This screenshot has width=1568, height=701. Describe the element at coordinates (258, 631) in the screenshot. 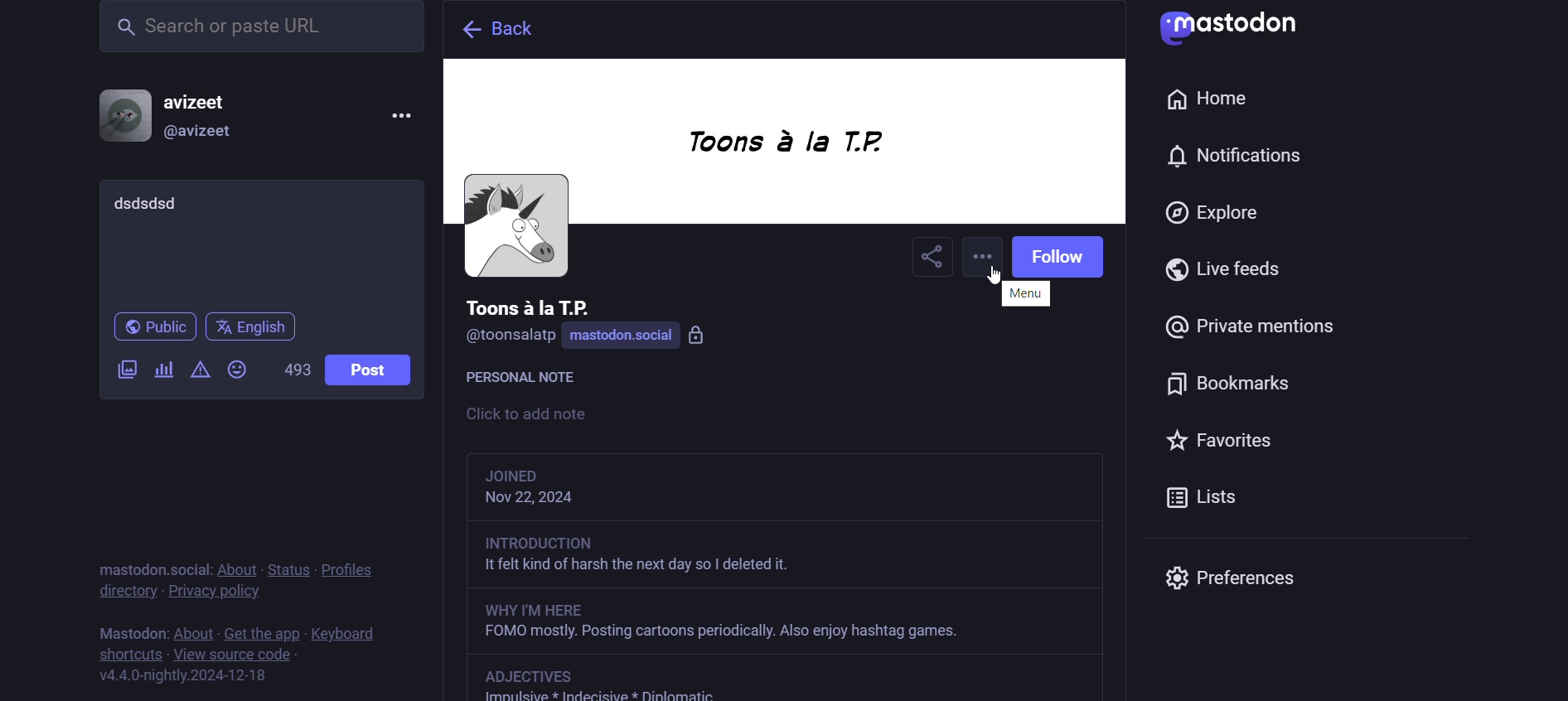

I see `get the app` at that location.